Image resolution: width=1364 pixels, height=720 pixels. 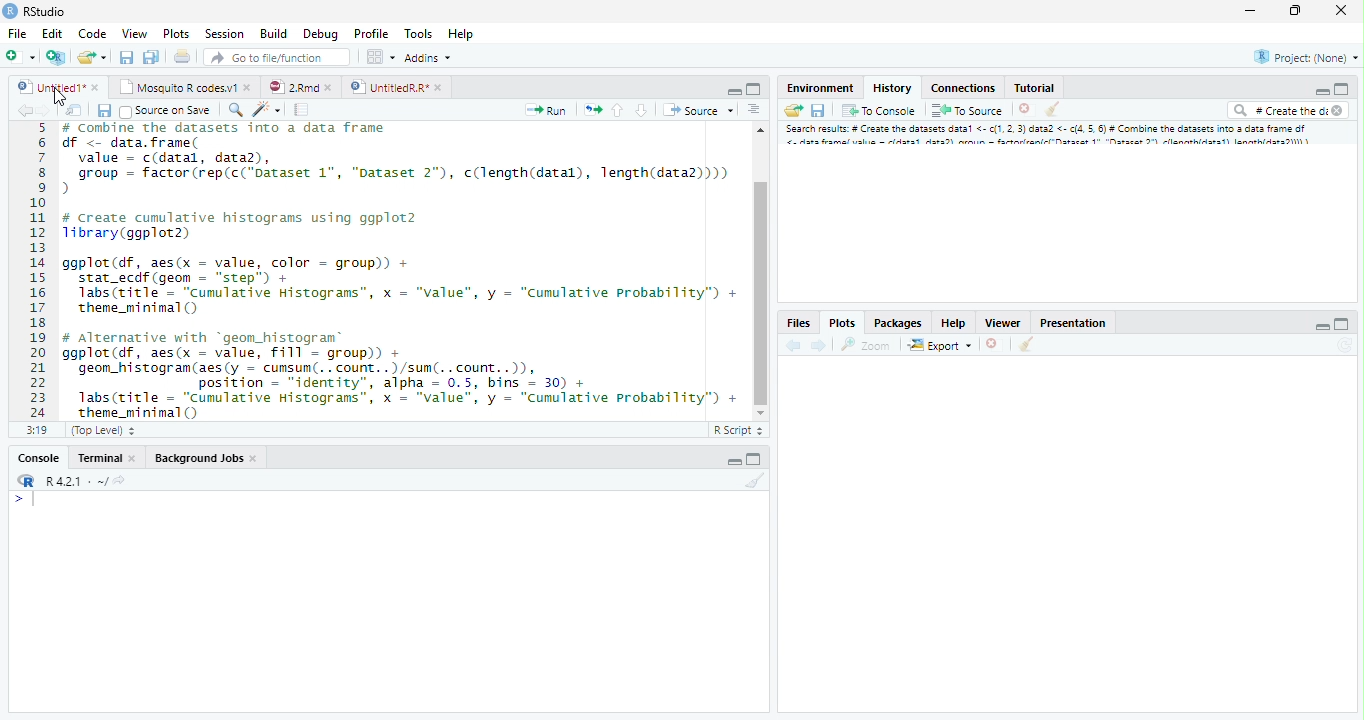 What do you see at coordinates (1052, 137) in the screenshot?
I see `Search result # create dataset data..` at bounding box center [1052, 137].